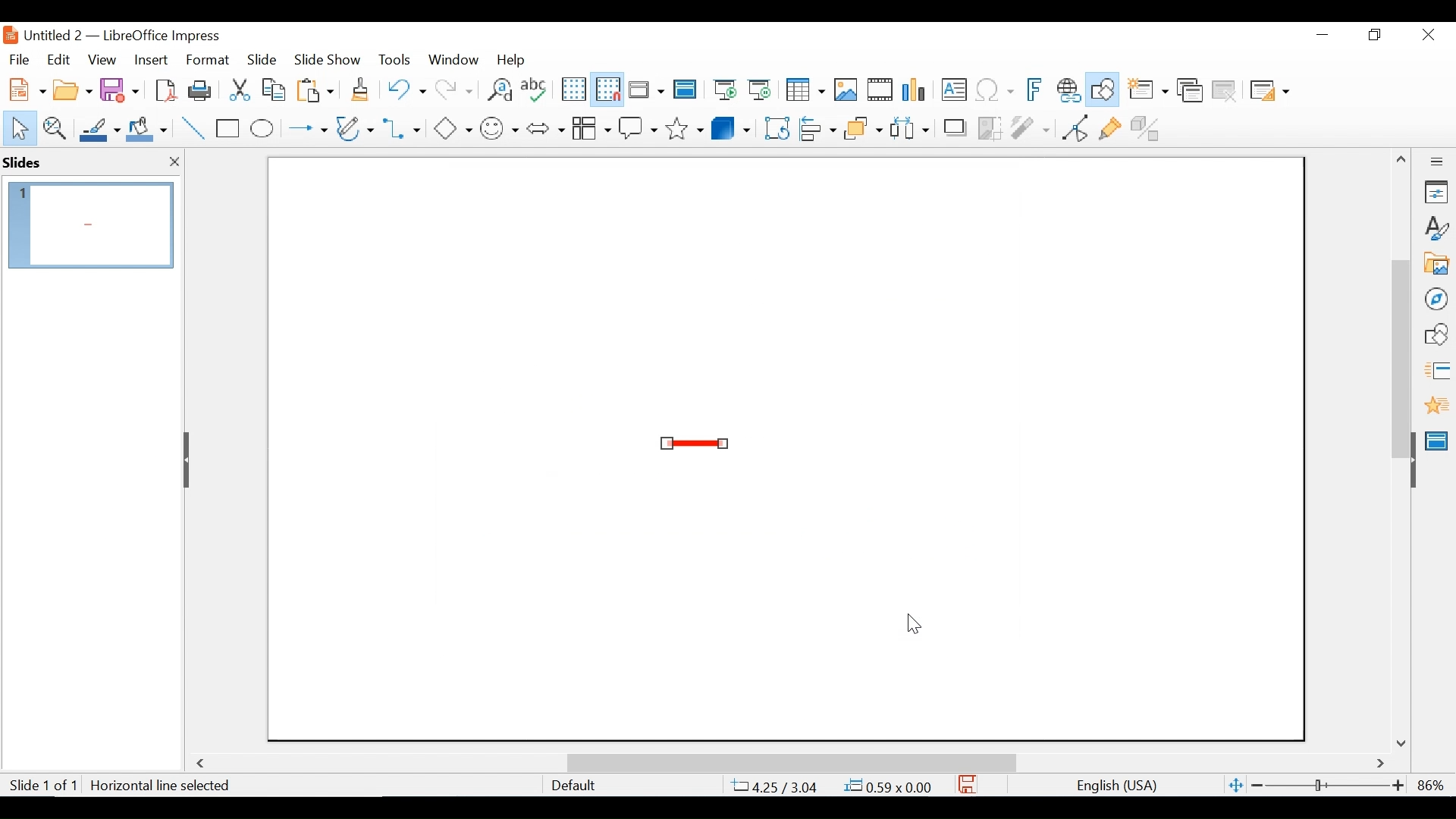 The image size is (1456, 819). What do you see at coordinates (98, 129) in the screenshot?
I see `Line Color` at bounding box center [98, 129].